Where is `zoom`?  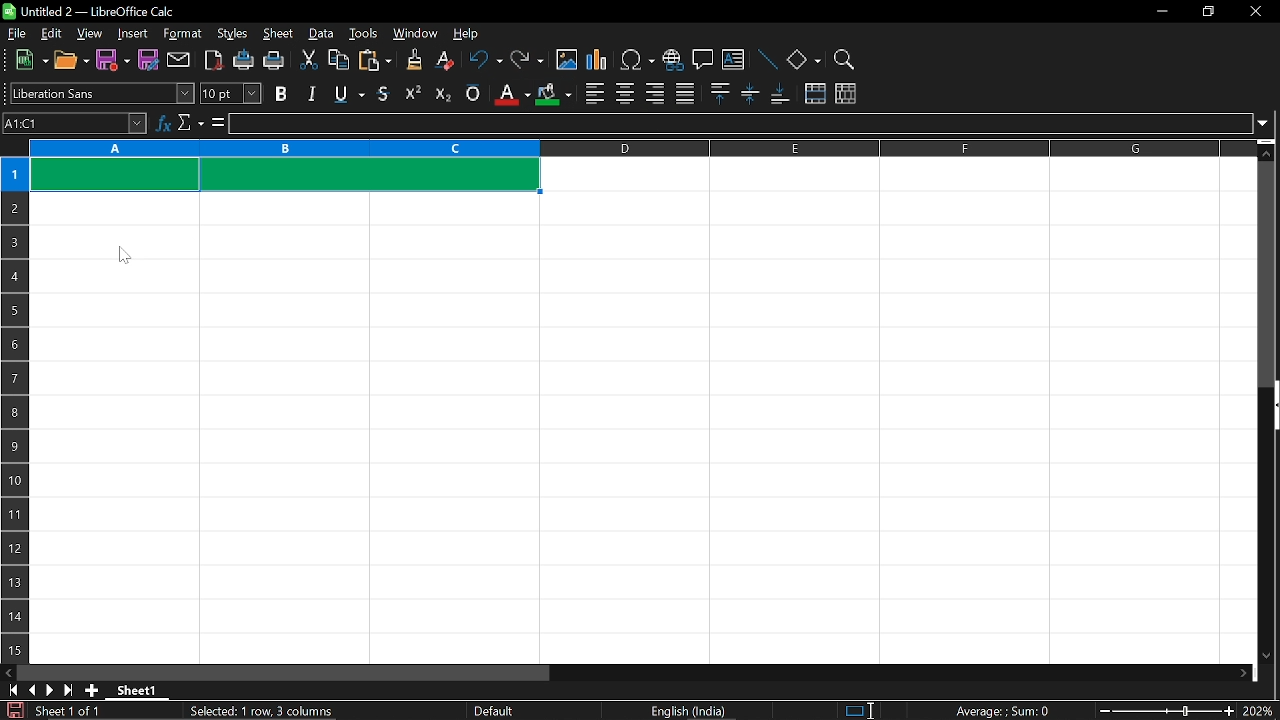 zoom is located at coordinates (845, 57).